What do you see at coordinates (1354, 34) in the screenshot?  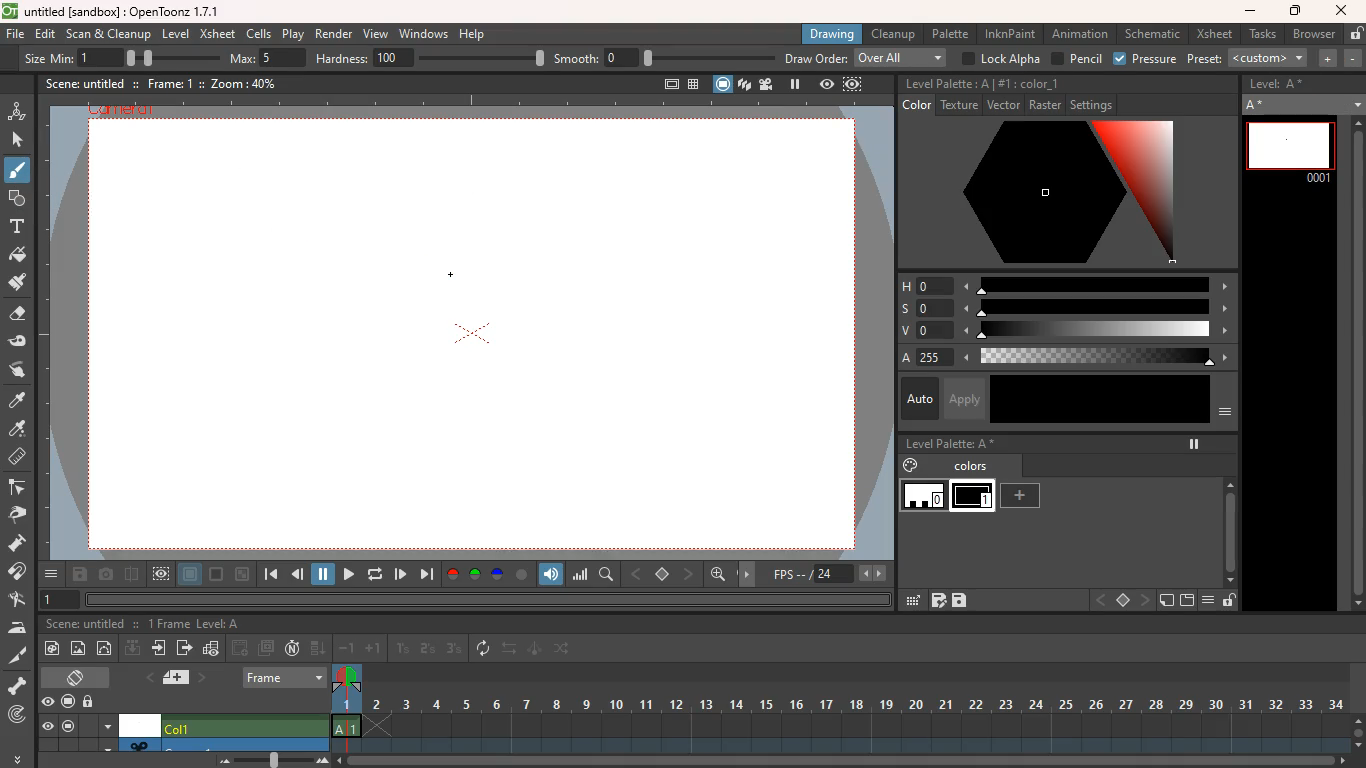 I see `unlock` at bounding box center [1354, 34].